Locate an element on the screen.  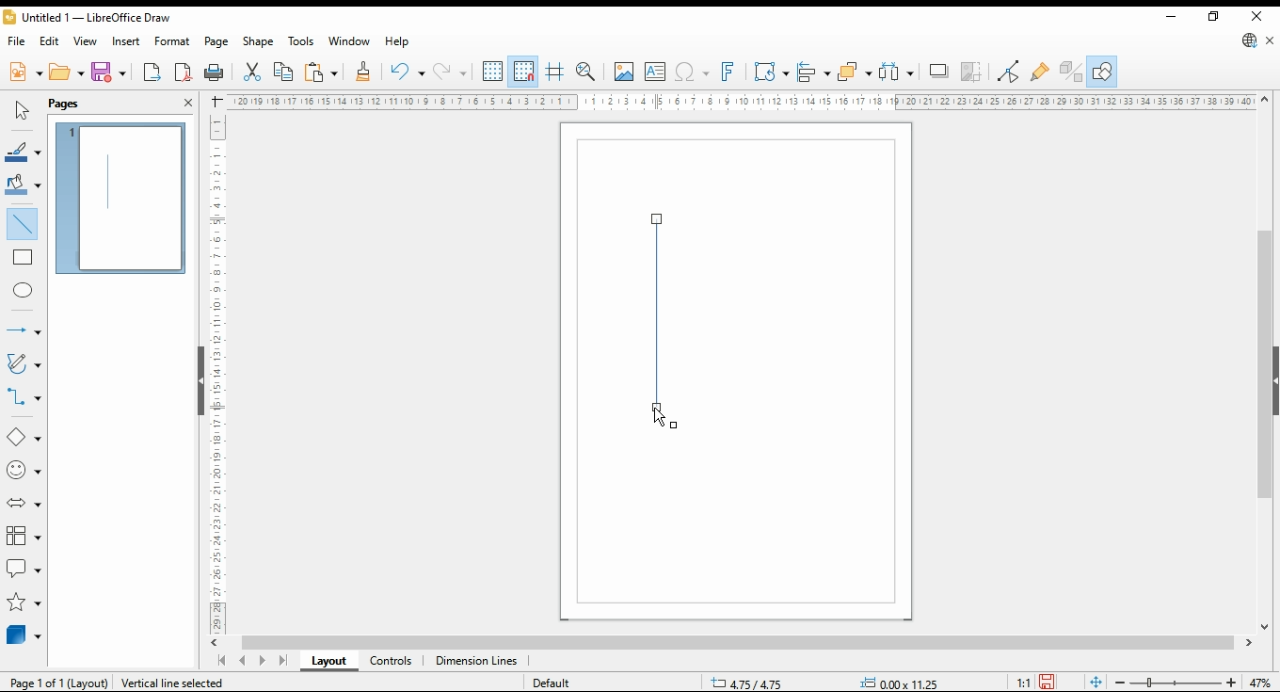
symbol shapes is located at coordinates (23, 471).